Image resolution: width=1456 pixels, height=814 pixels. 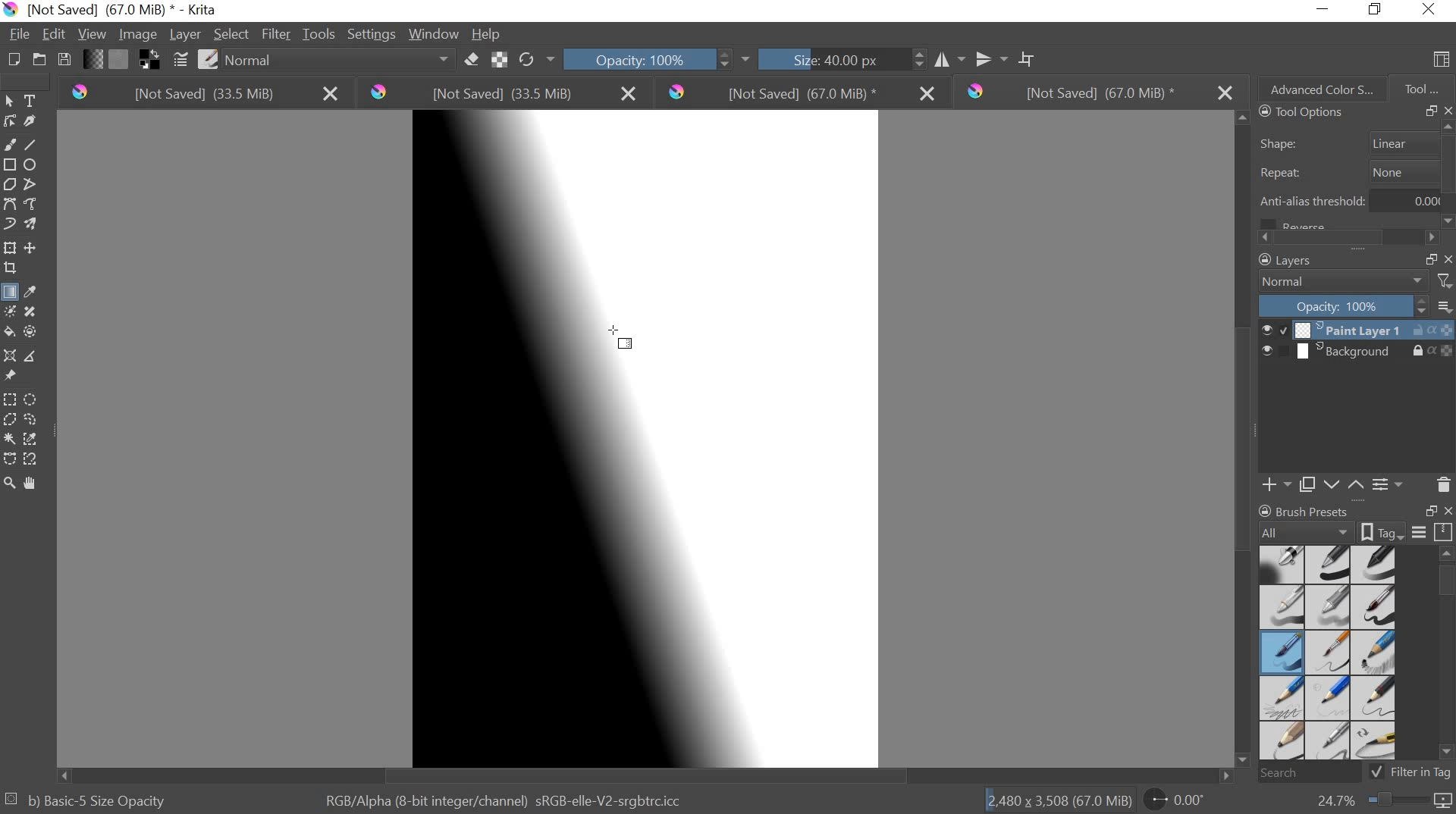 What do you see at coordinates (505, 797) in the screenshot?
I see `RGB/alpha (8 bit integer/channel) srgb elle v2 srgbttrc.icc` at bounding box center [505, 797].